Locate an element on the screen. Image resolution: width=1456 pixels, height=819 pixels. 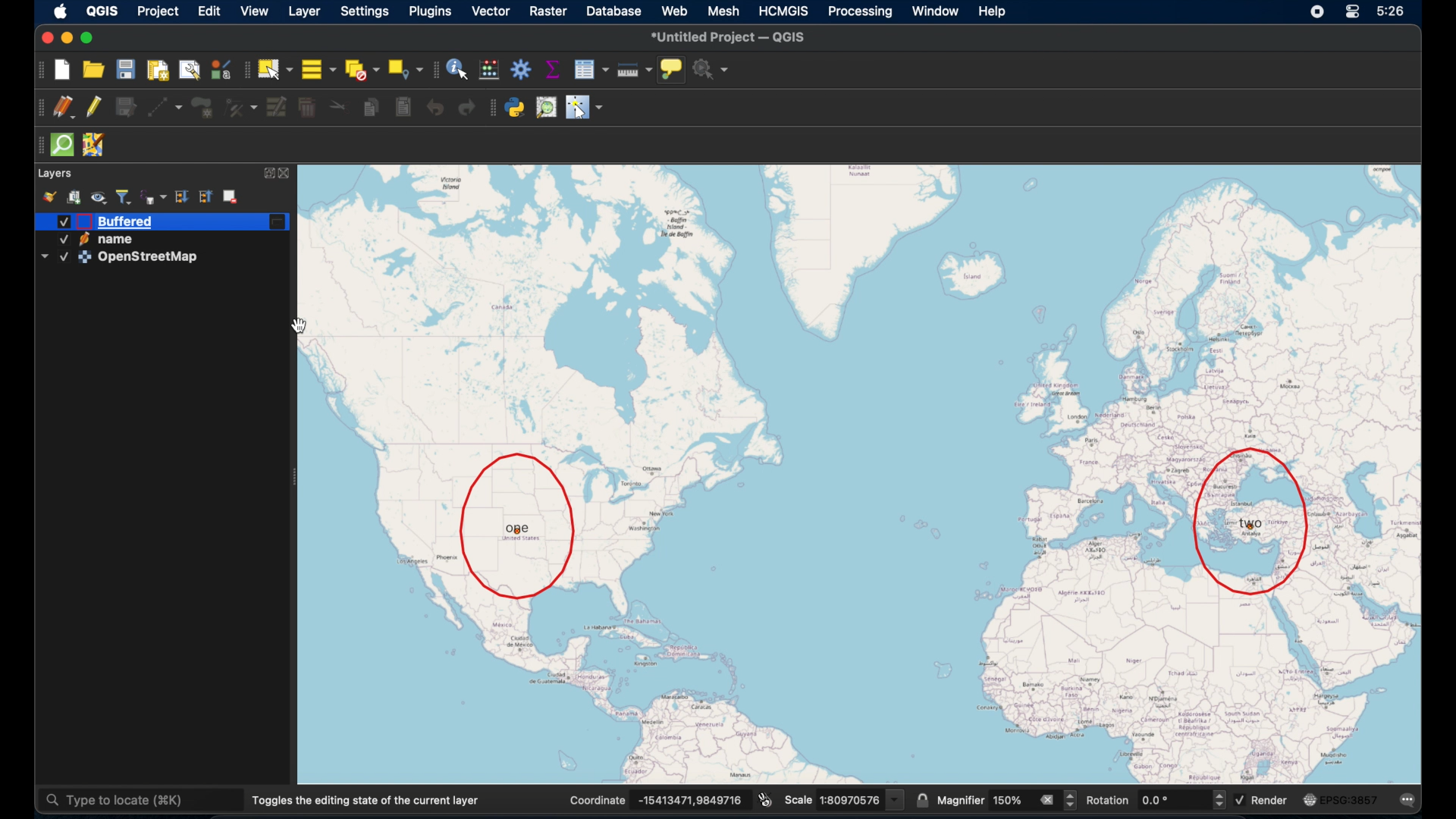
show map tips is located at coordinates (671, 69).